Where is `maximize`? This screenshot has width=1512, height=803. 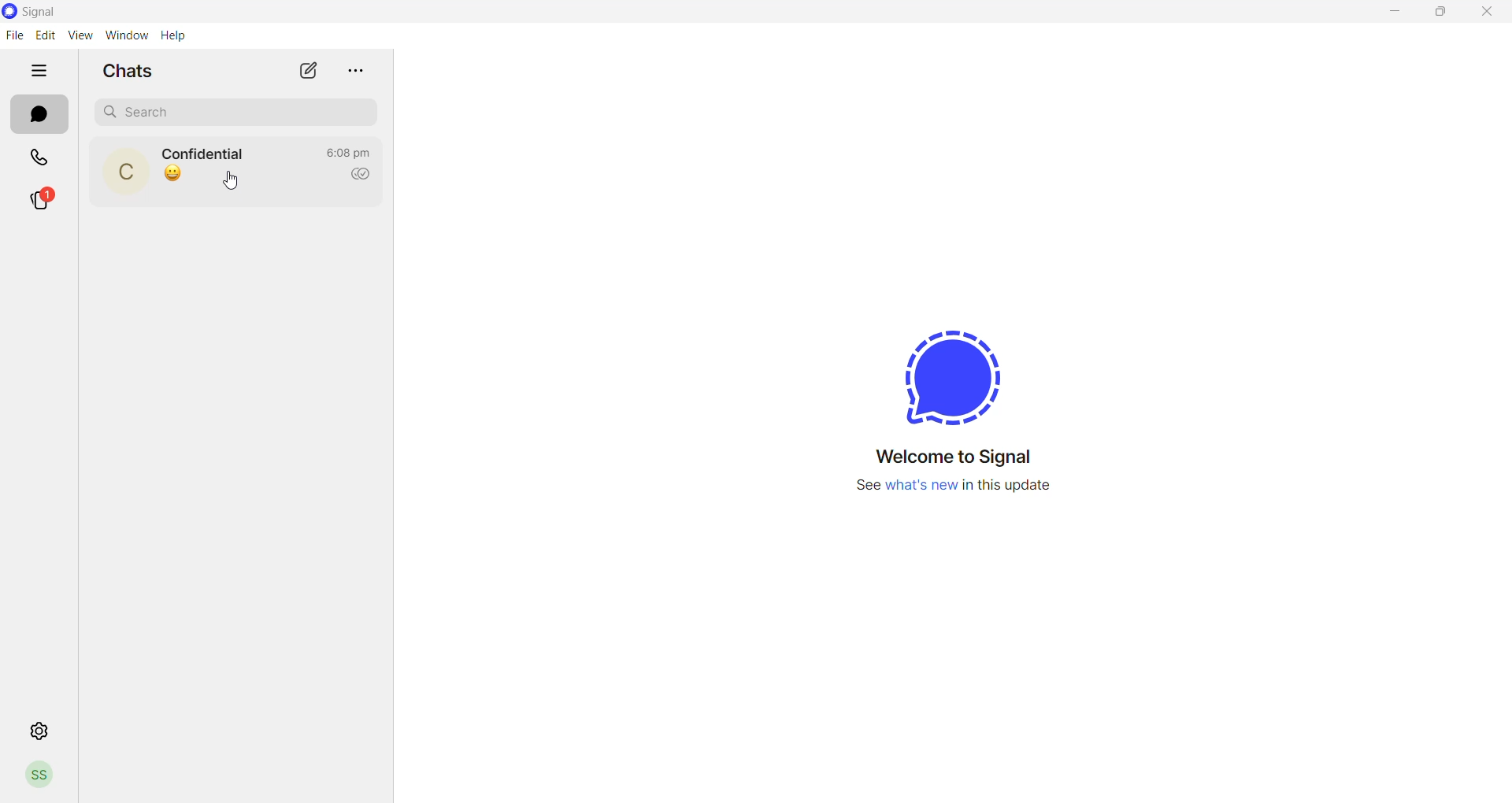 maximize is located at coordinates (1449, 13).